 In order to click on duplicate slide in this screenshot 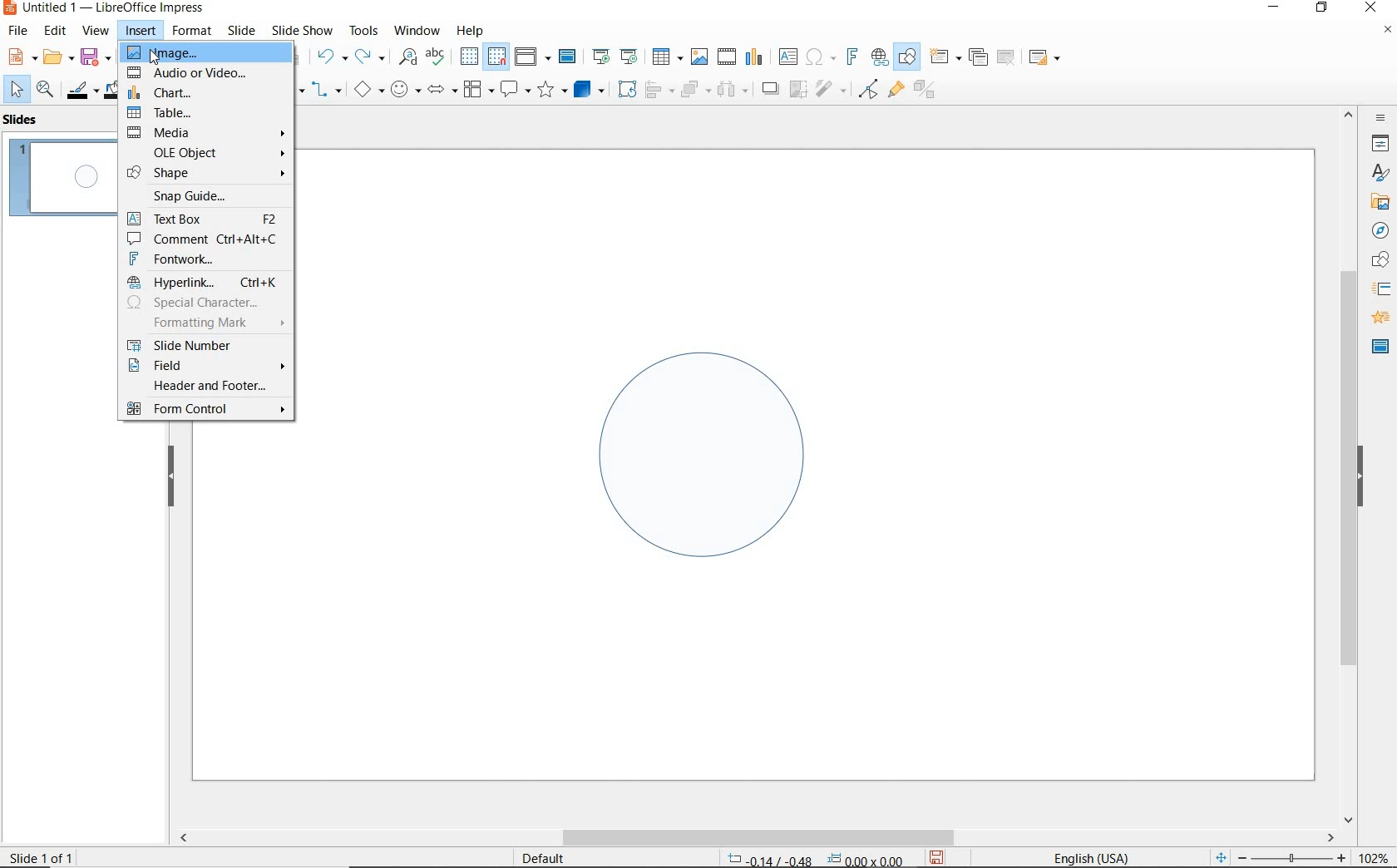, I will do `click(978, 57)`.